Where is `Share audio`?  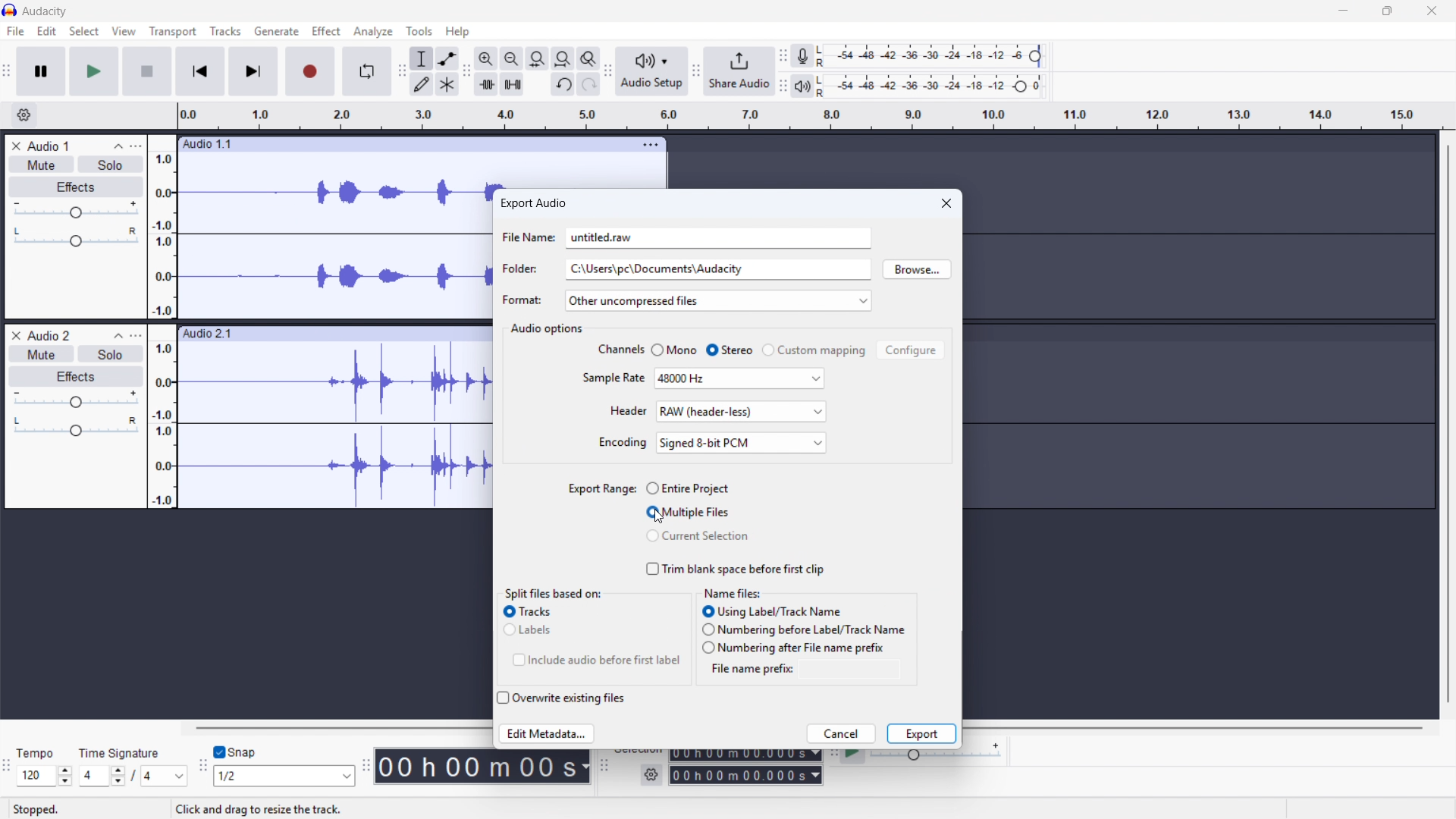
Share audio is located at coordinates (739, 71).